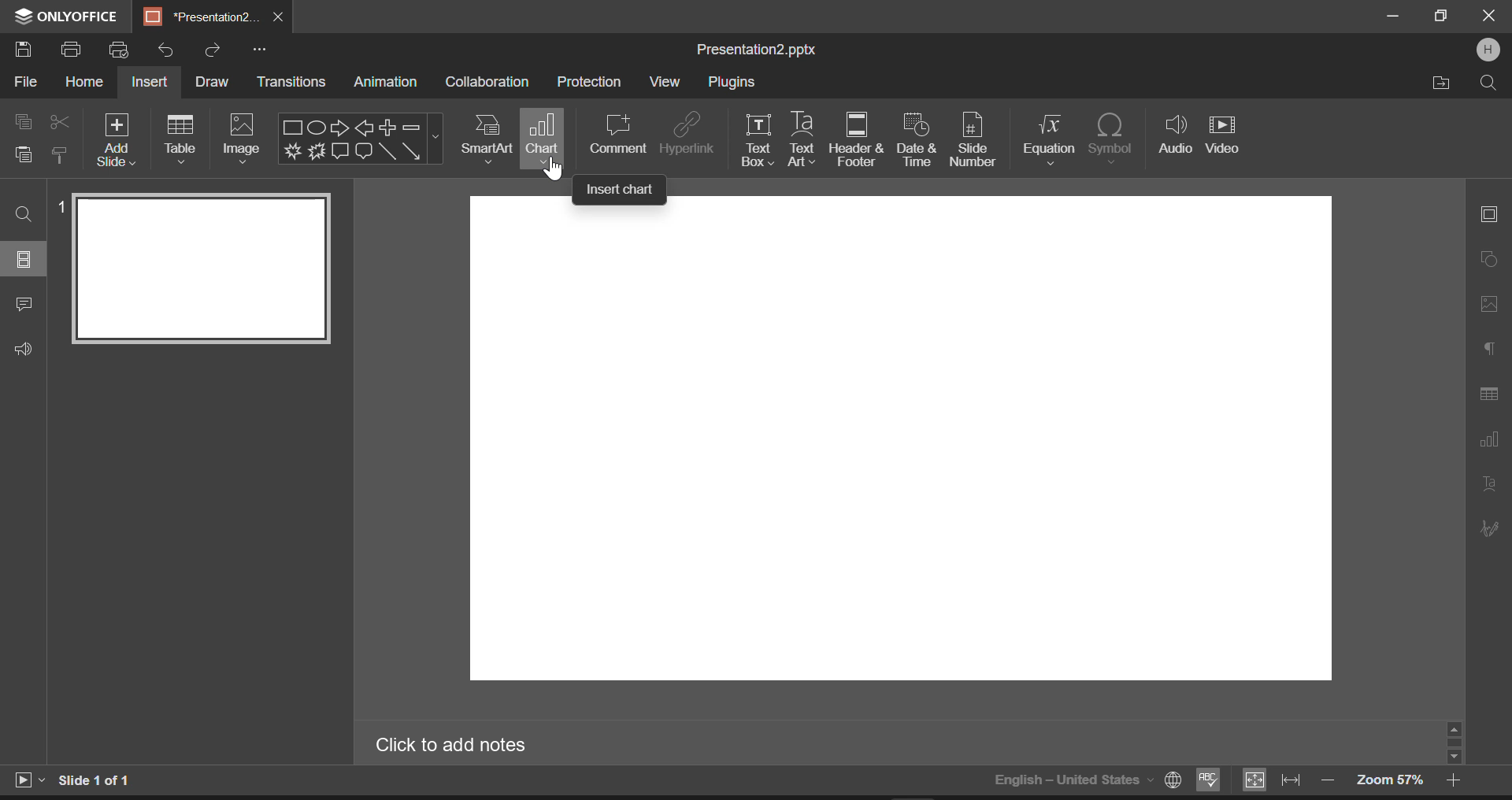  I want to click on Minus, so click(412, 128).